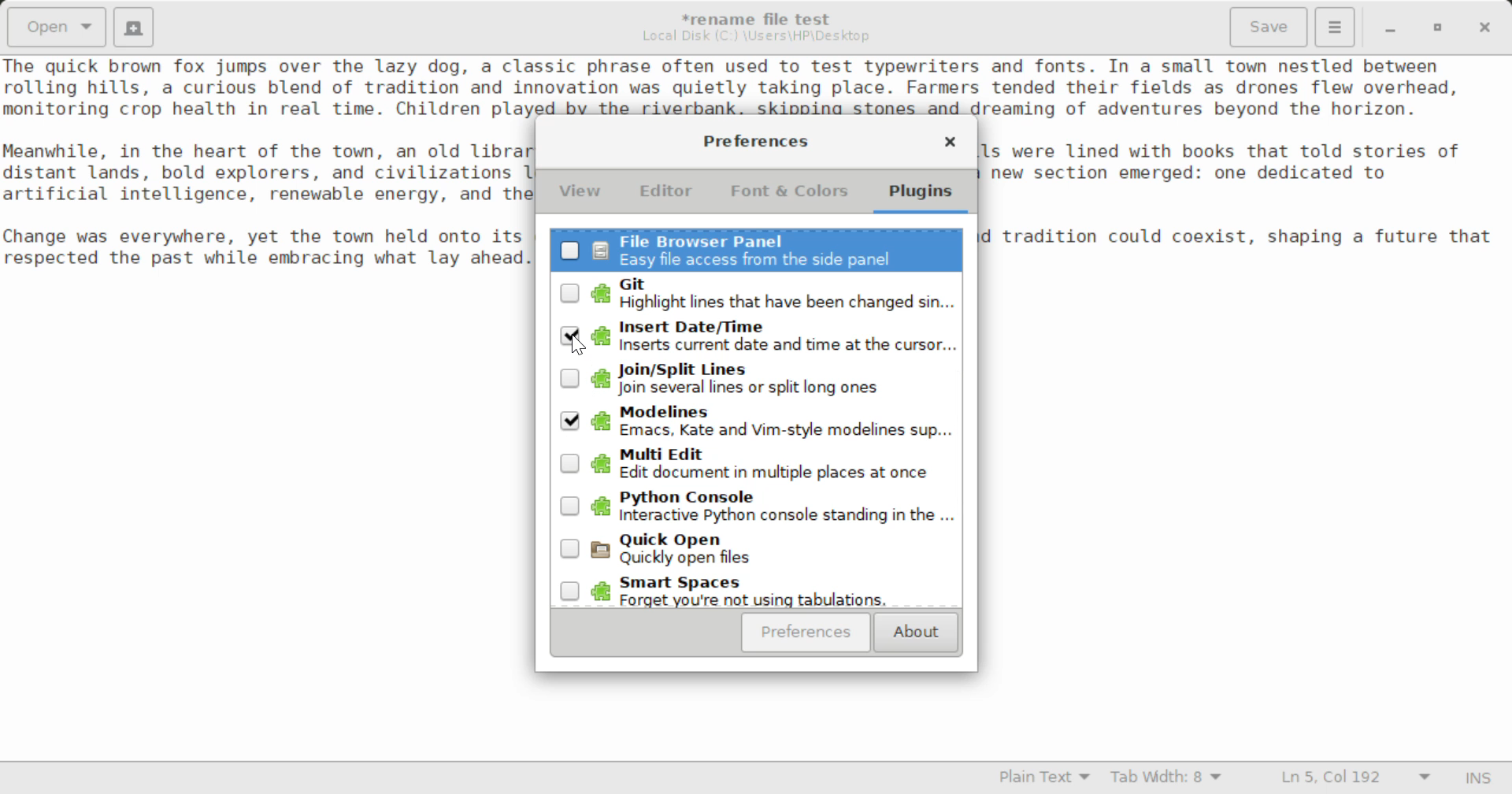  Describe the element at coordinates (756, 36) in the screenshot. I see `File Location` at that location.